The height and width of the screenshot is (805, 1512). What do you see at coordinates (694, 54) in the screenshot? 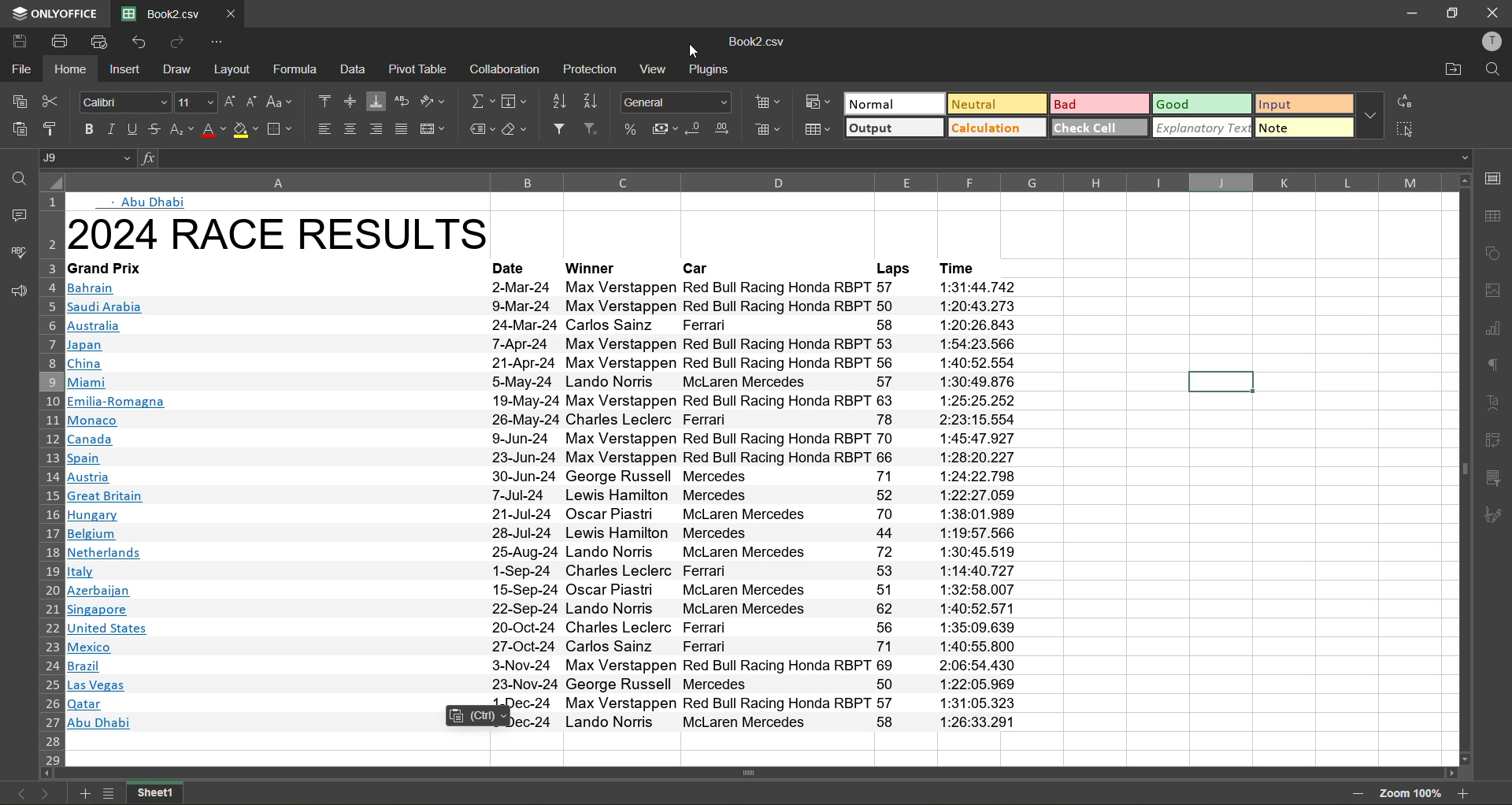
I see `cursor` at bounding box center [694, 54].